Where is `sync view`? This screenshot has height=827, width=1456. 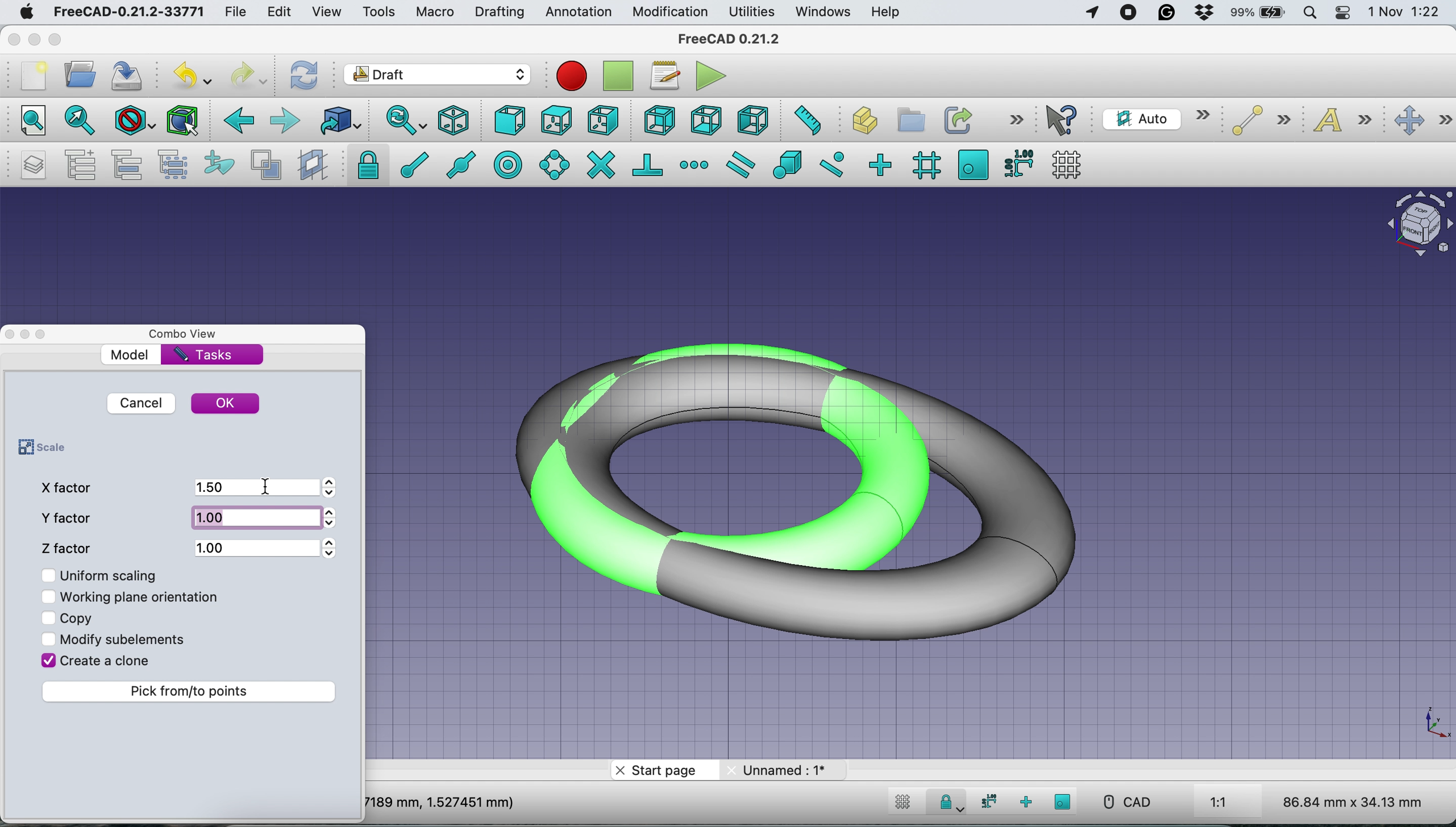
sync view is located at coordinates (405, 120).